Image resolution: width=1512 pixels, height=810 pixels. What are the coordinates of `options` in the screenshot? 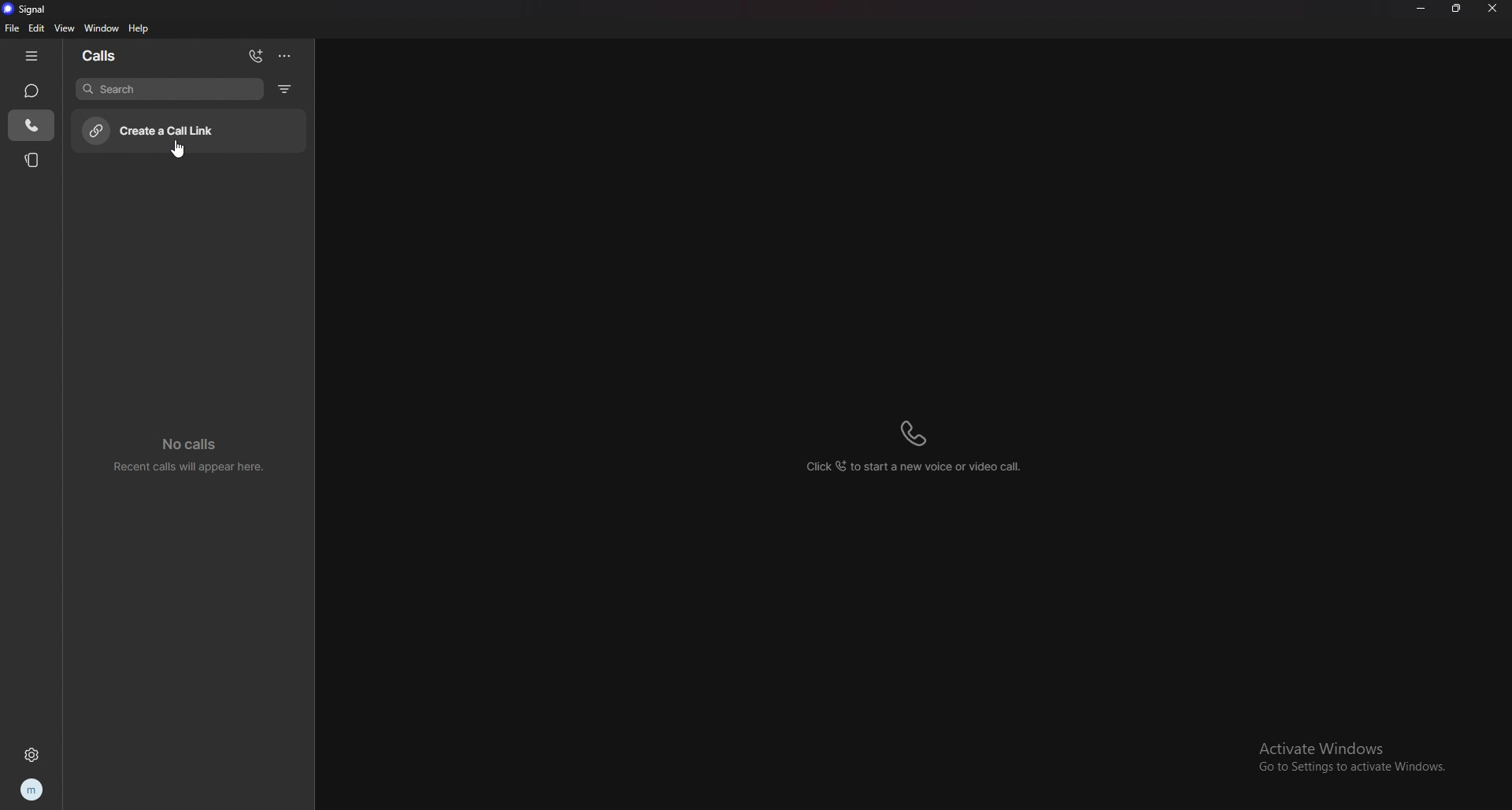 It's located at (284, 55).